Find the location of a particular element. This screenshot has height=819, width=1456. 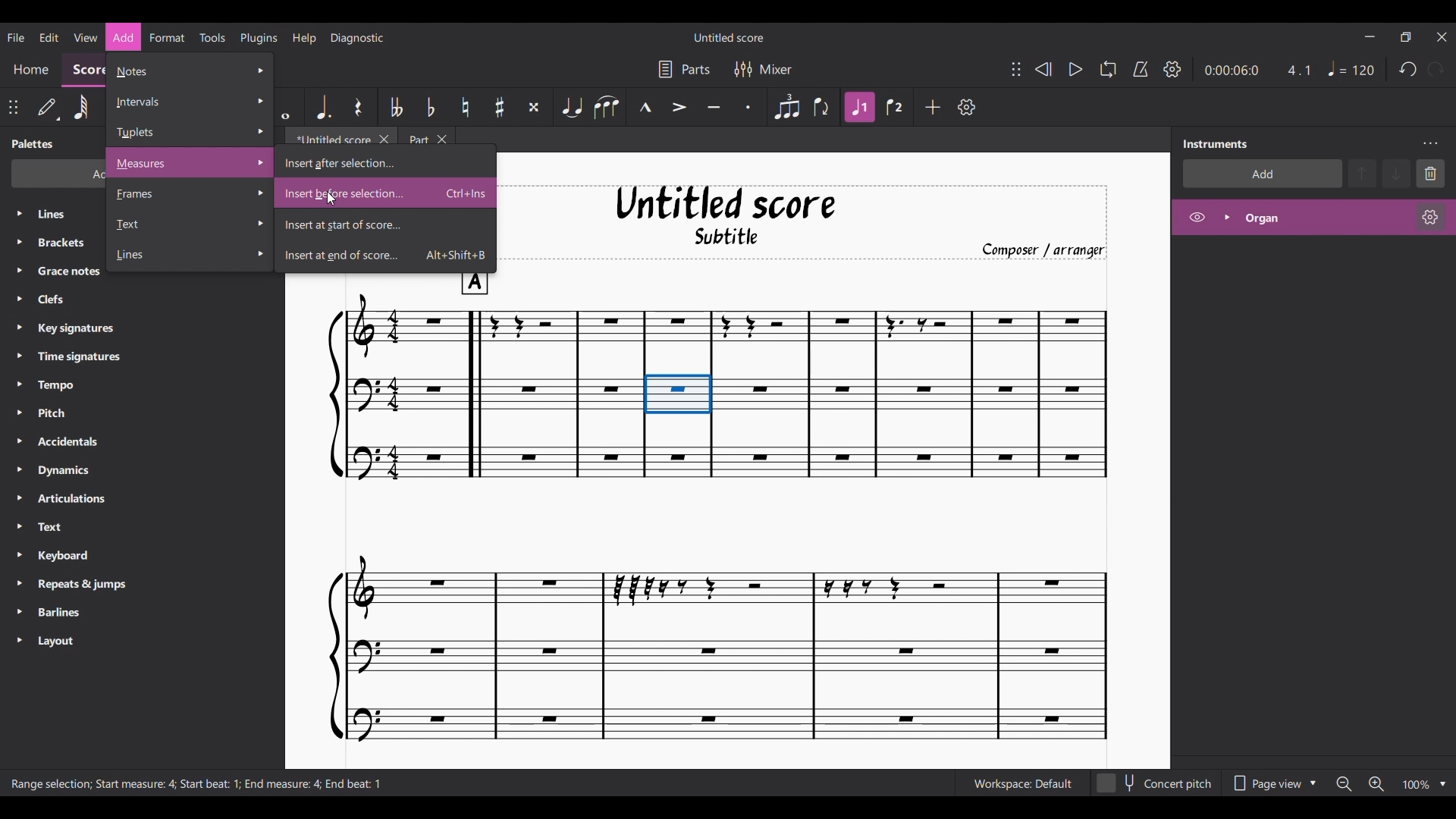

Format menu is located at coordinates (167, 37).